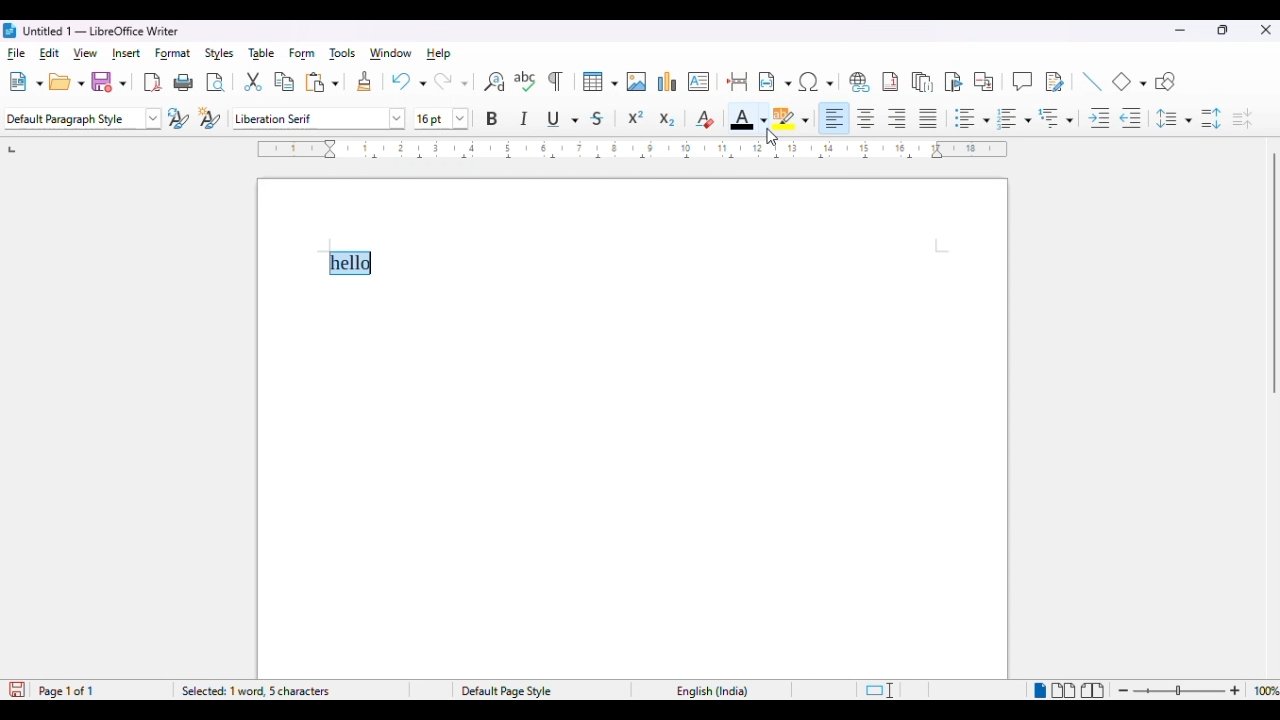 This screenshot has height=720, width=1280. Describe the element at coordinates (210, 118) in the screenshot. I see `new style from selection` at that location.